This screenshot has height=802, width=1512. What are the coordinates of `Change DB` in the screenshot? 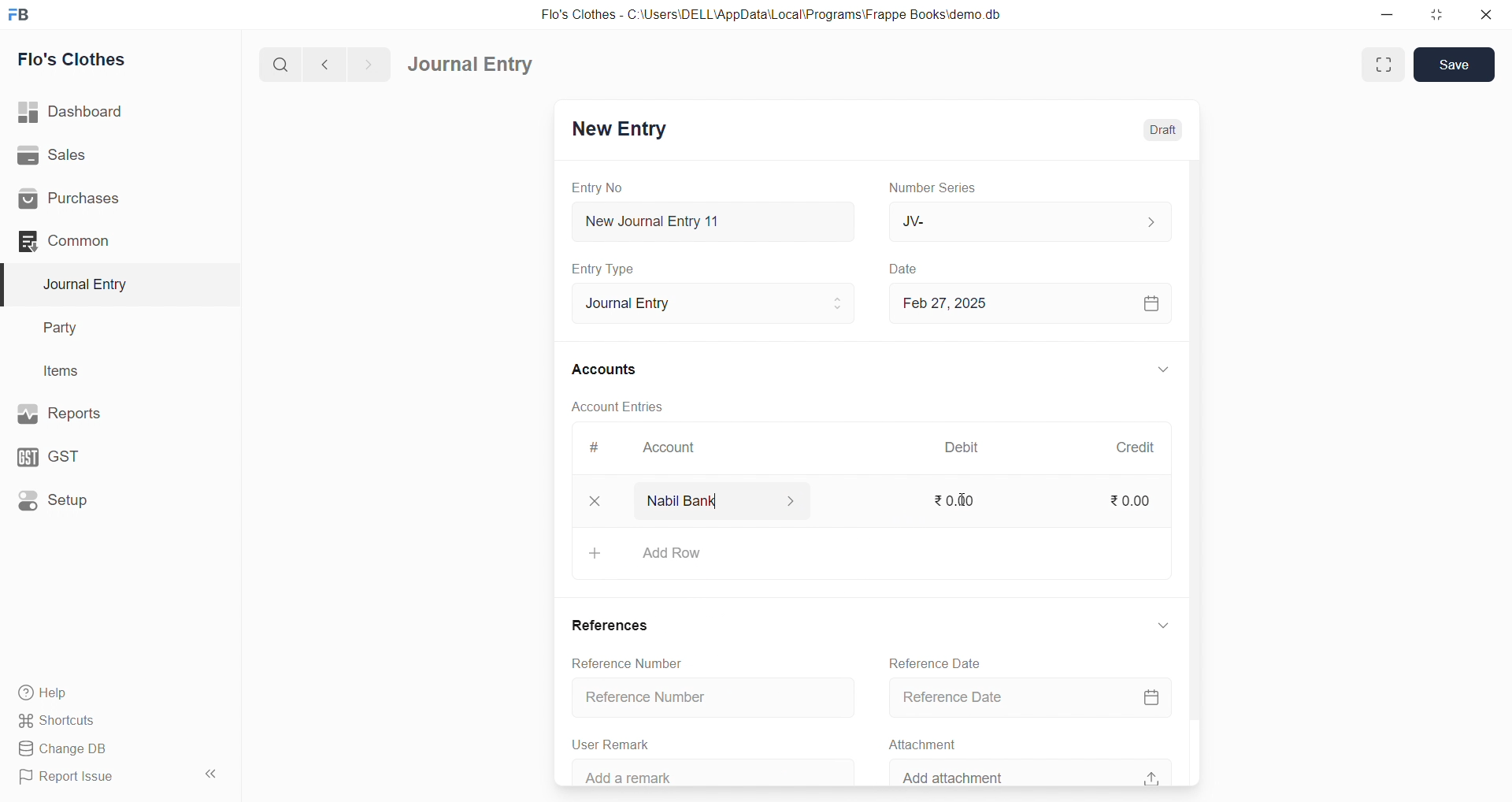 It's located at (98, 748).